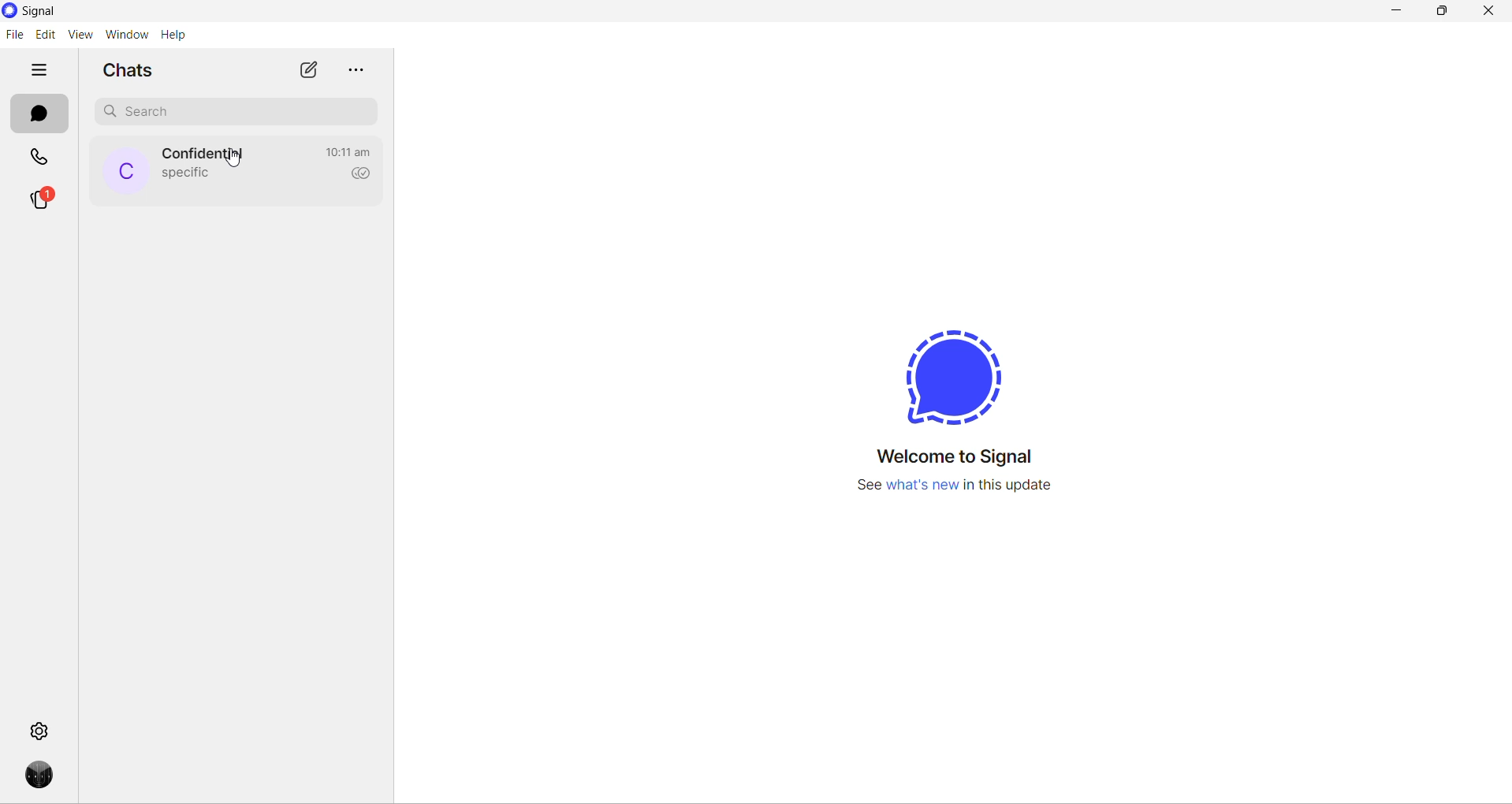 This screenshot has width=1512, height=804. I want to click on maximize, so click(1441, 13).